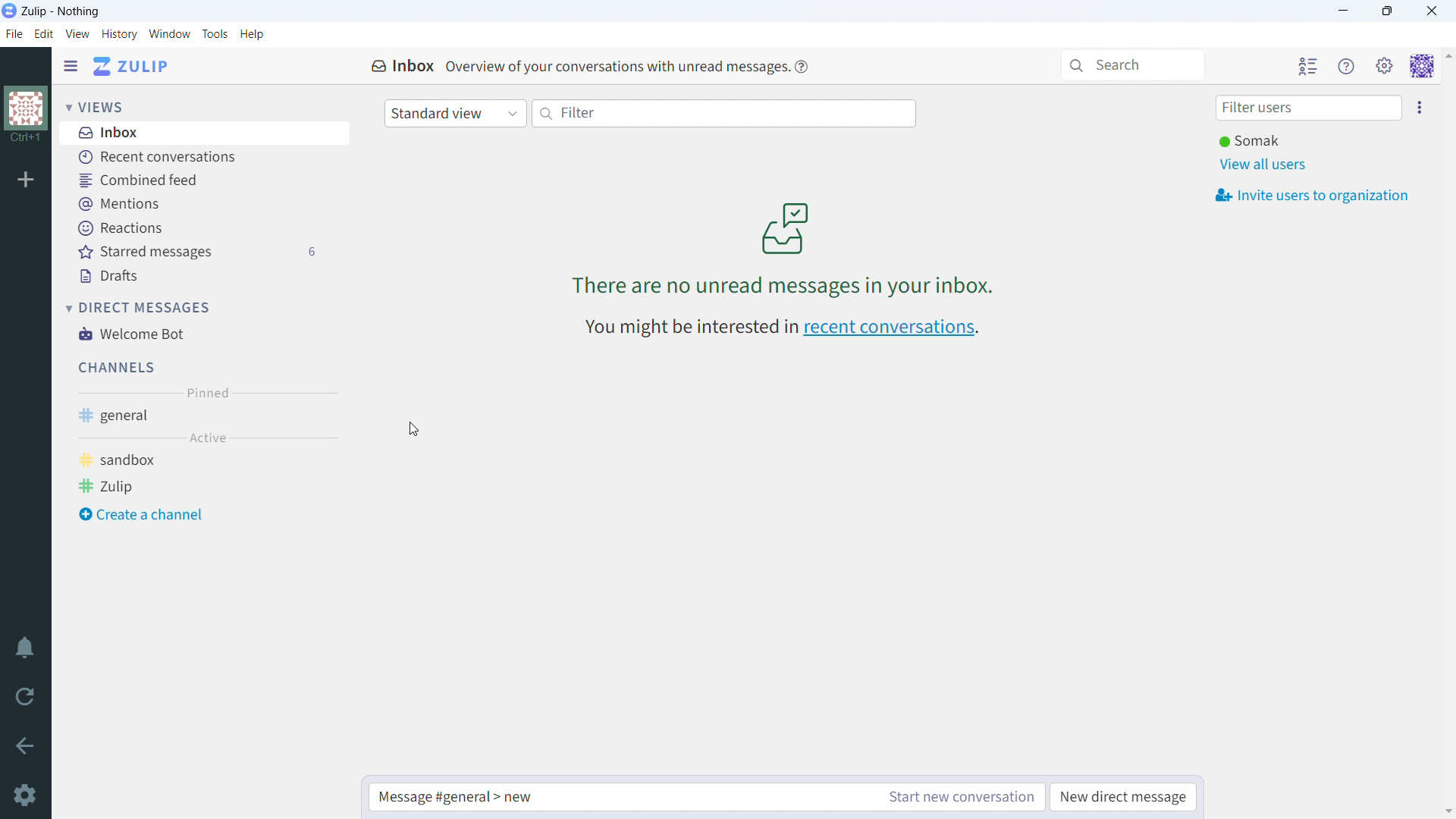 Image resolution: width=1456 pixels, height=819 pixels. What do you see at coordinates (95, 106) in the screenshot?
I see `views` at bounding box center [95, 106].